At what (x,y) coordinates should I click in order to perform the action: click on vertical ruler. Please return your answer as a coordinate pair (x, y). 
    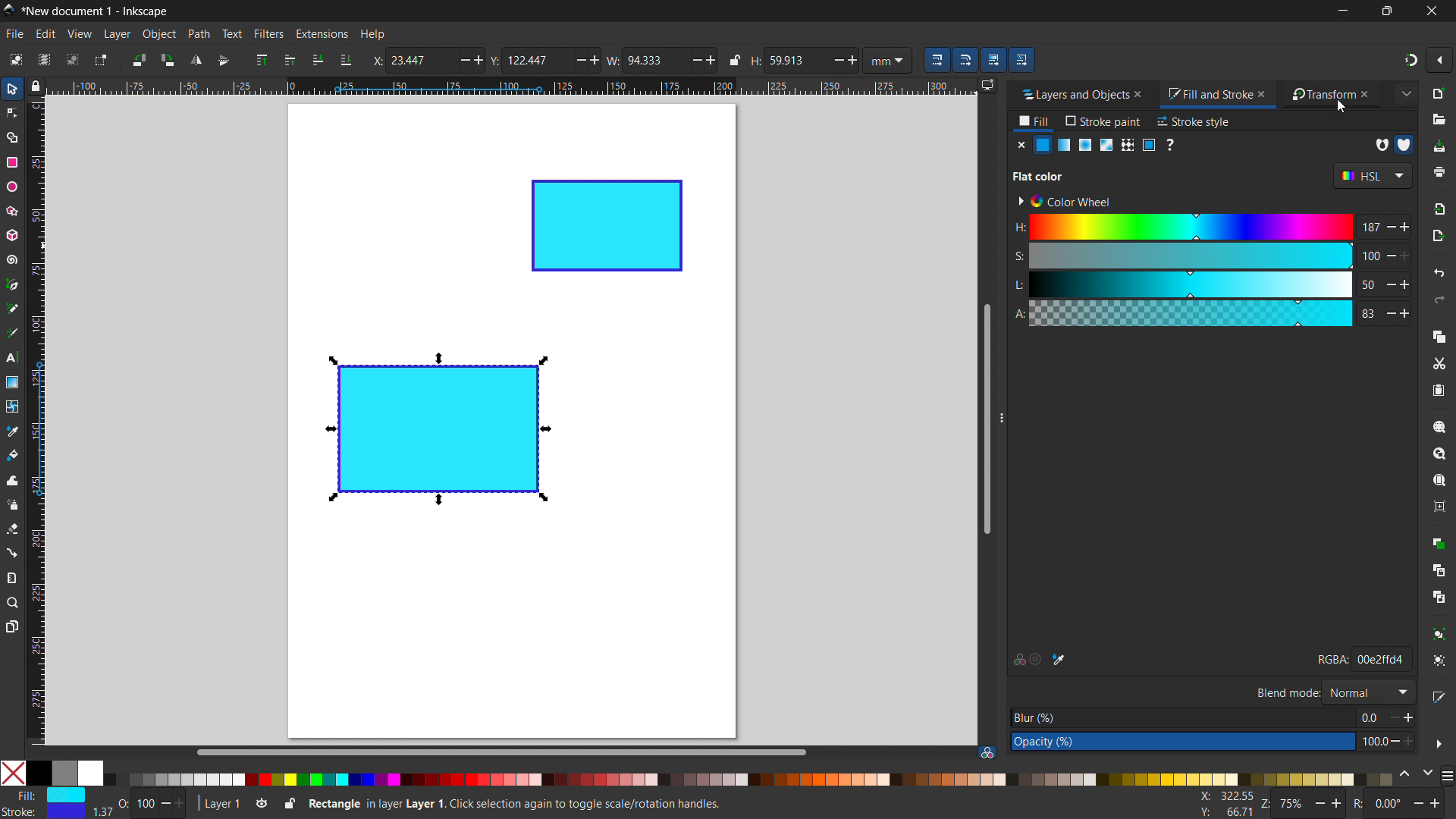
    Looking at the image, I should click on (36, 424).